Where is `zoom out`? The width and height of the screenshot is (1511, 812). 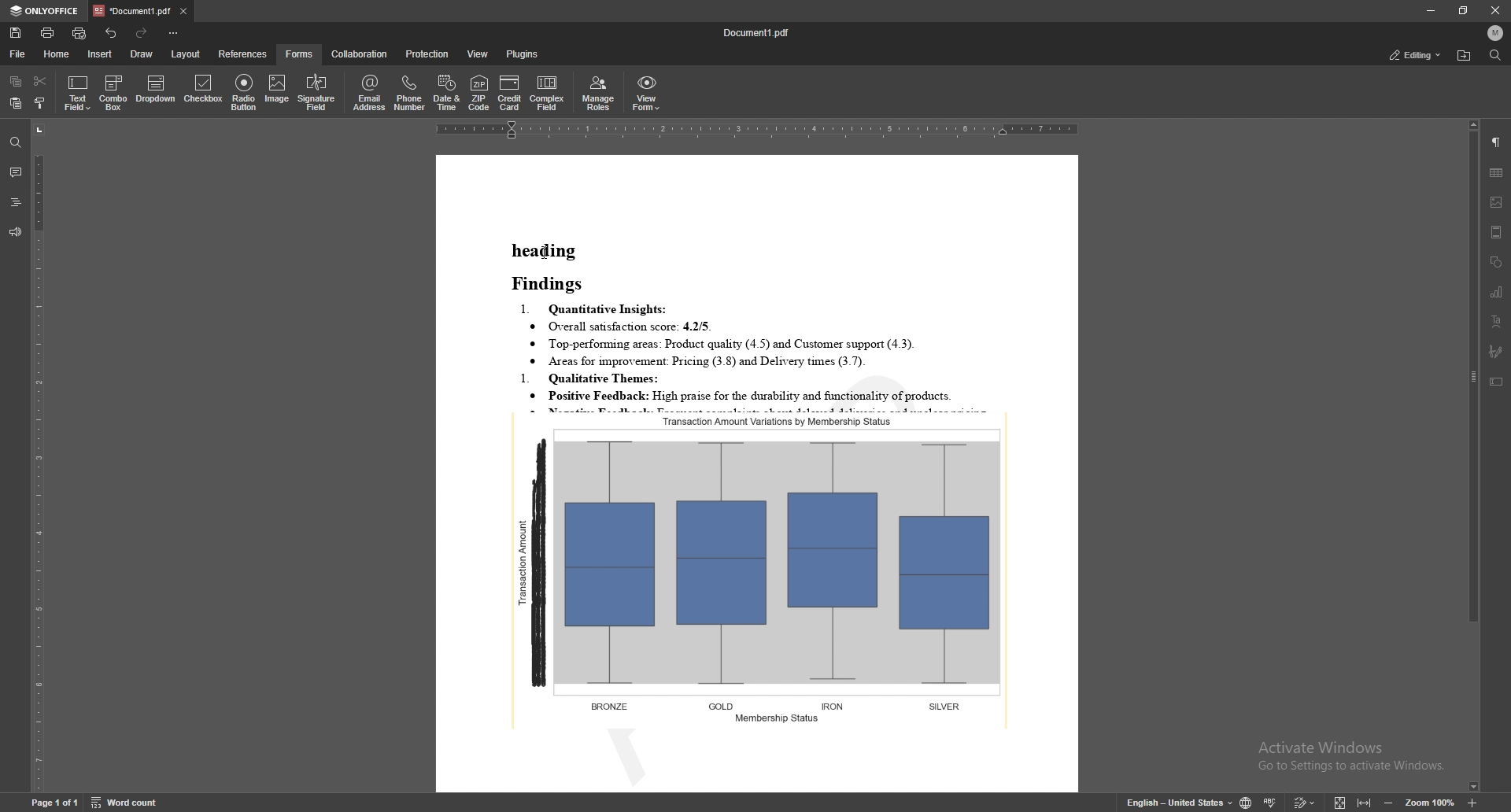
zoom out is located at coordinates (1391, 803).